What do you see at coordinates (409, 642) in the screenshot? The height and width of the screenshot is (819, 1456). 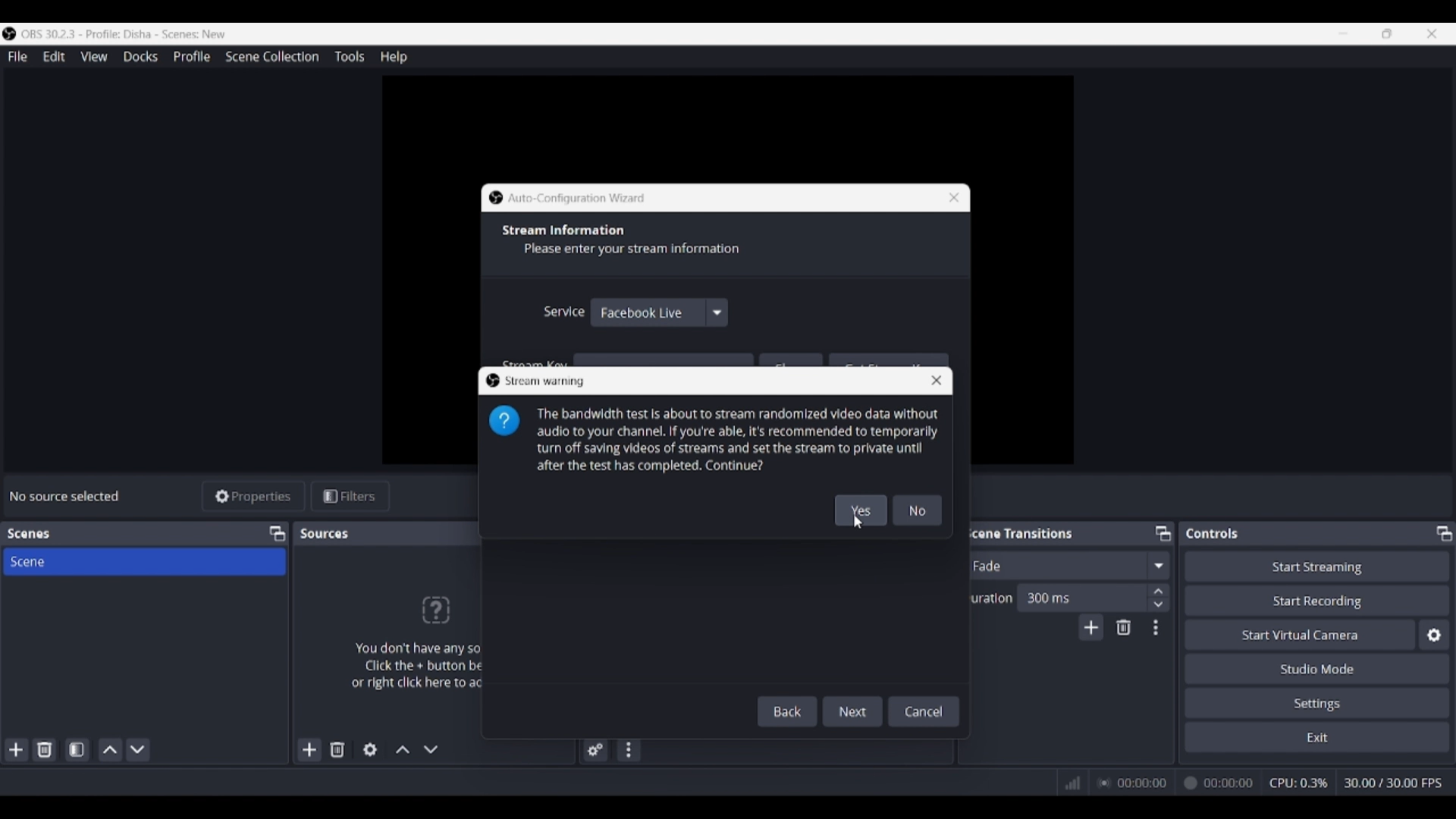 I see `Panel logo and text` at bounding box center [409, 642].